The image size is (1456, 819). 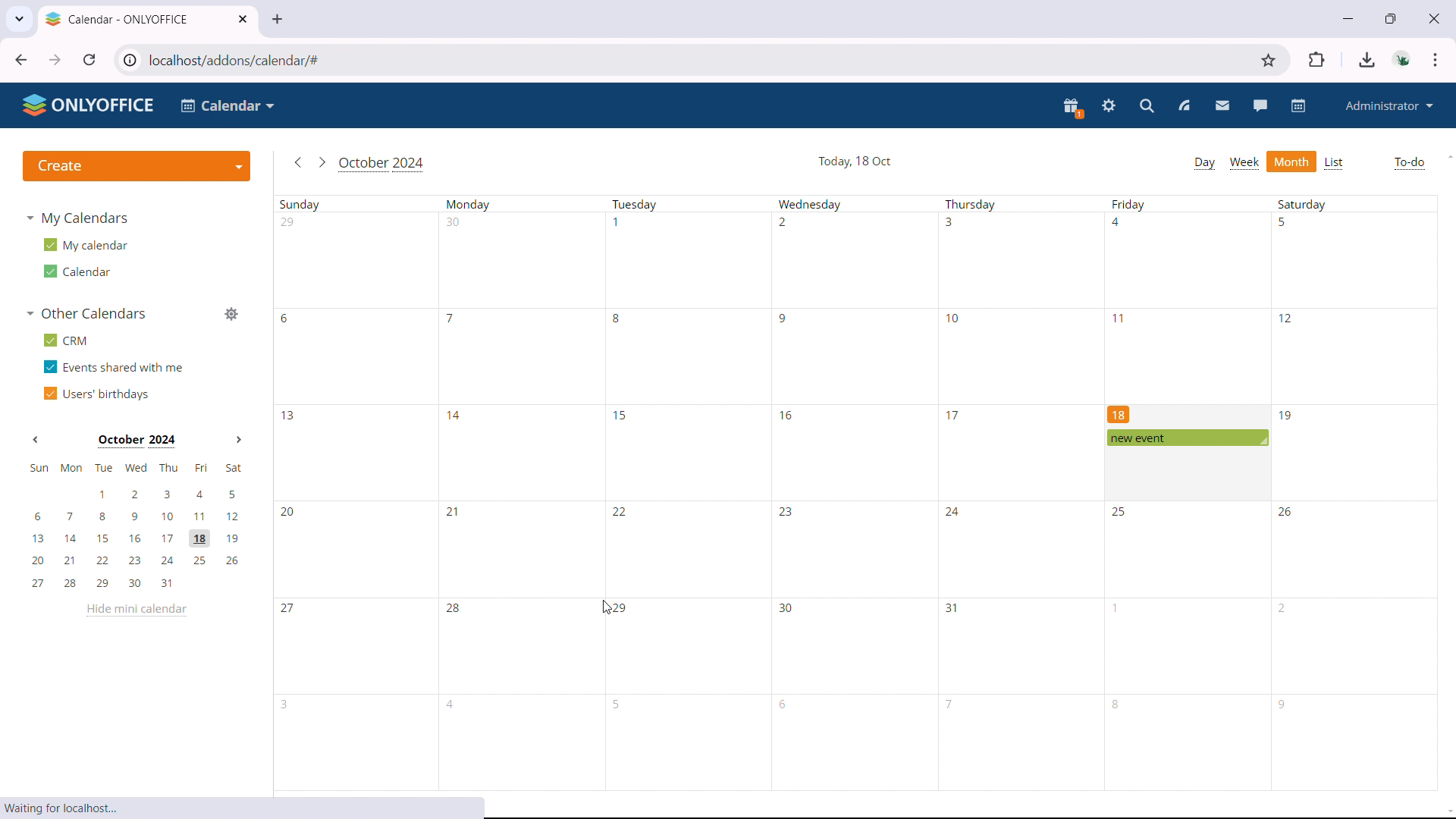 What do you see at coordinates (289, 416) in the screenshot?
I see `13` at bounding box center [289, 416].